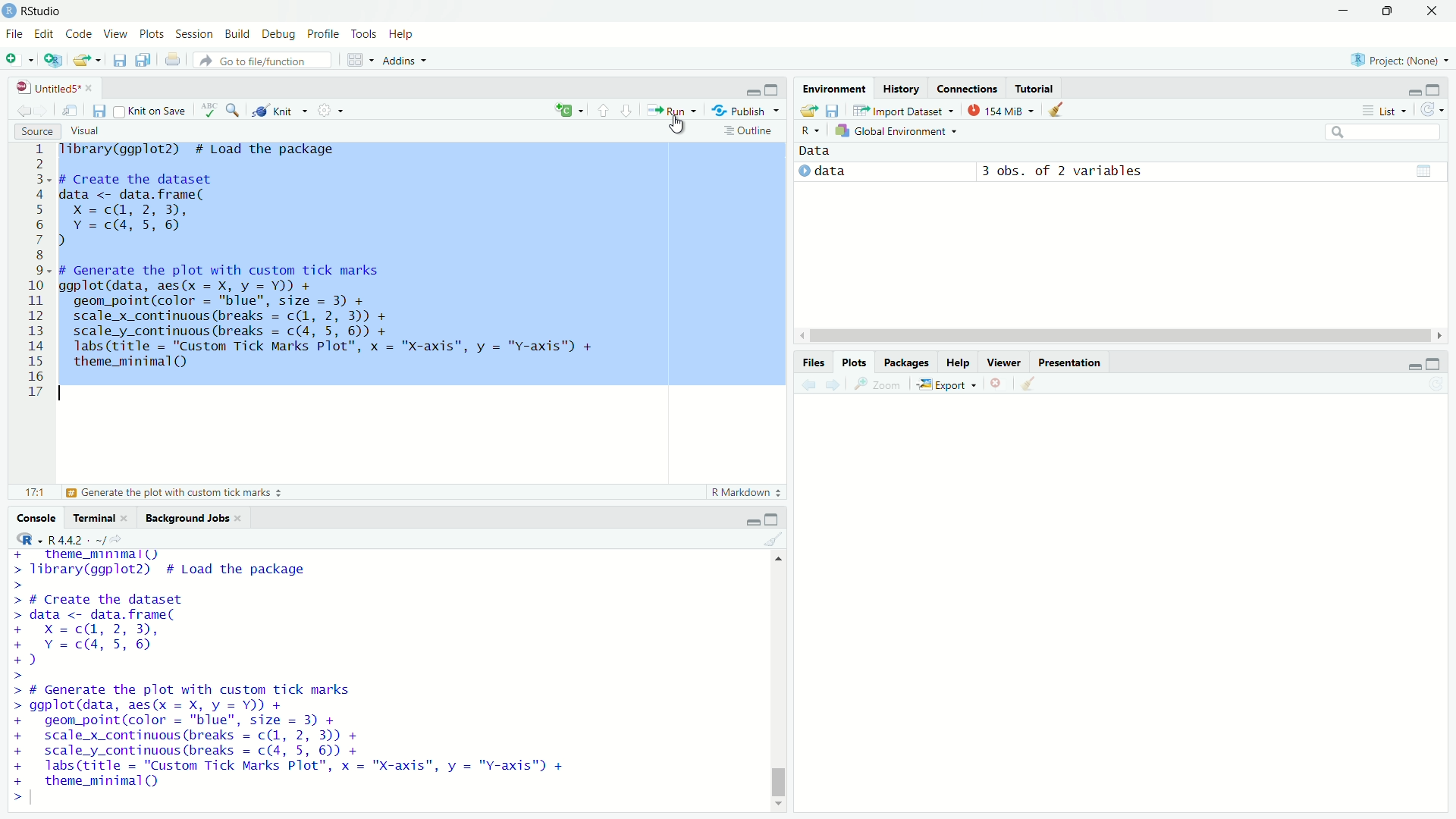 The height and width of the screenshot is (819, 1456). Describe the element at coordinates (99, 109) in the screenshot. I see `save current document` at that location.